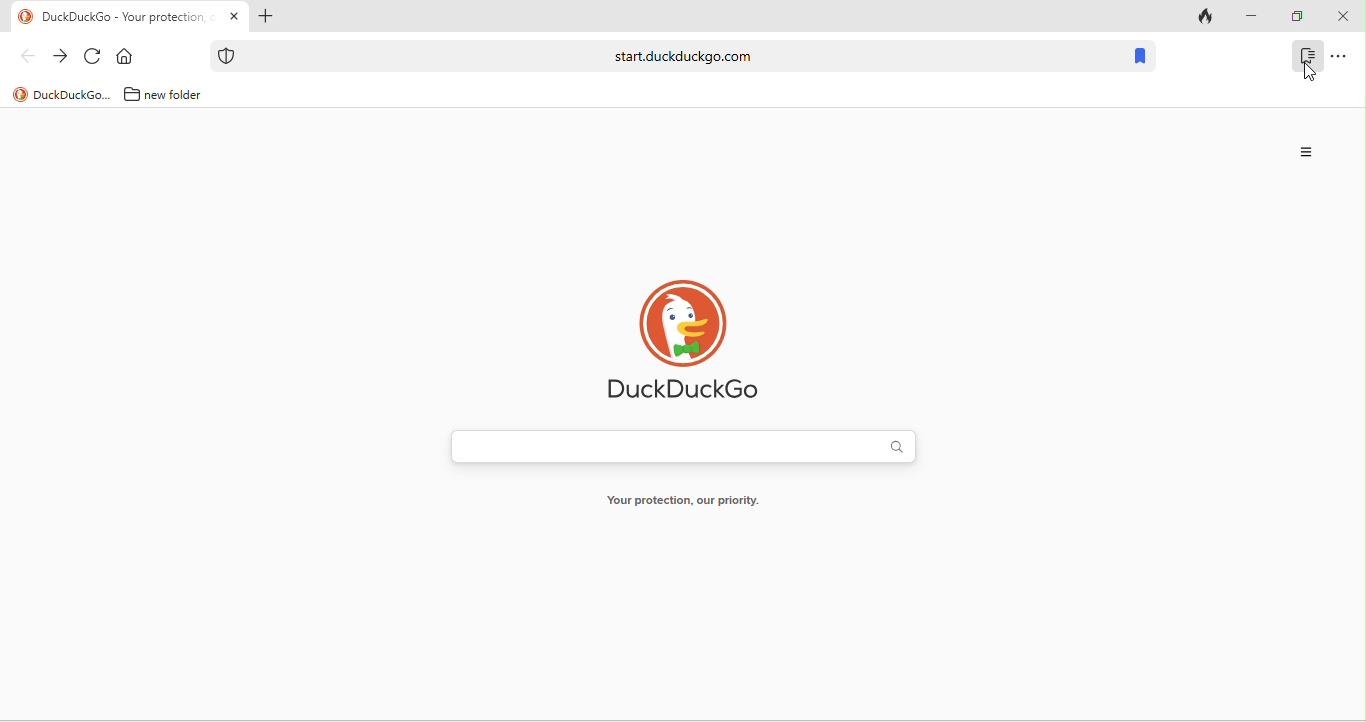 The width and height of the screenshot is (1366, 722). What do you see at coordinates (234, 17) in the screenshot?
I see `close tab` at bounding box center [234, 17].